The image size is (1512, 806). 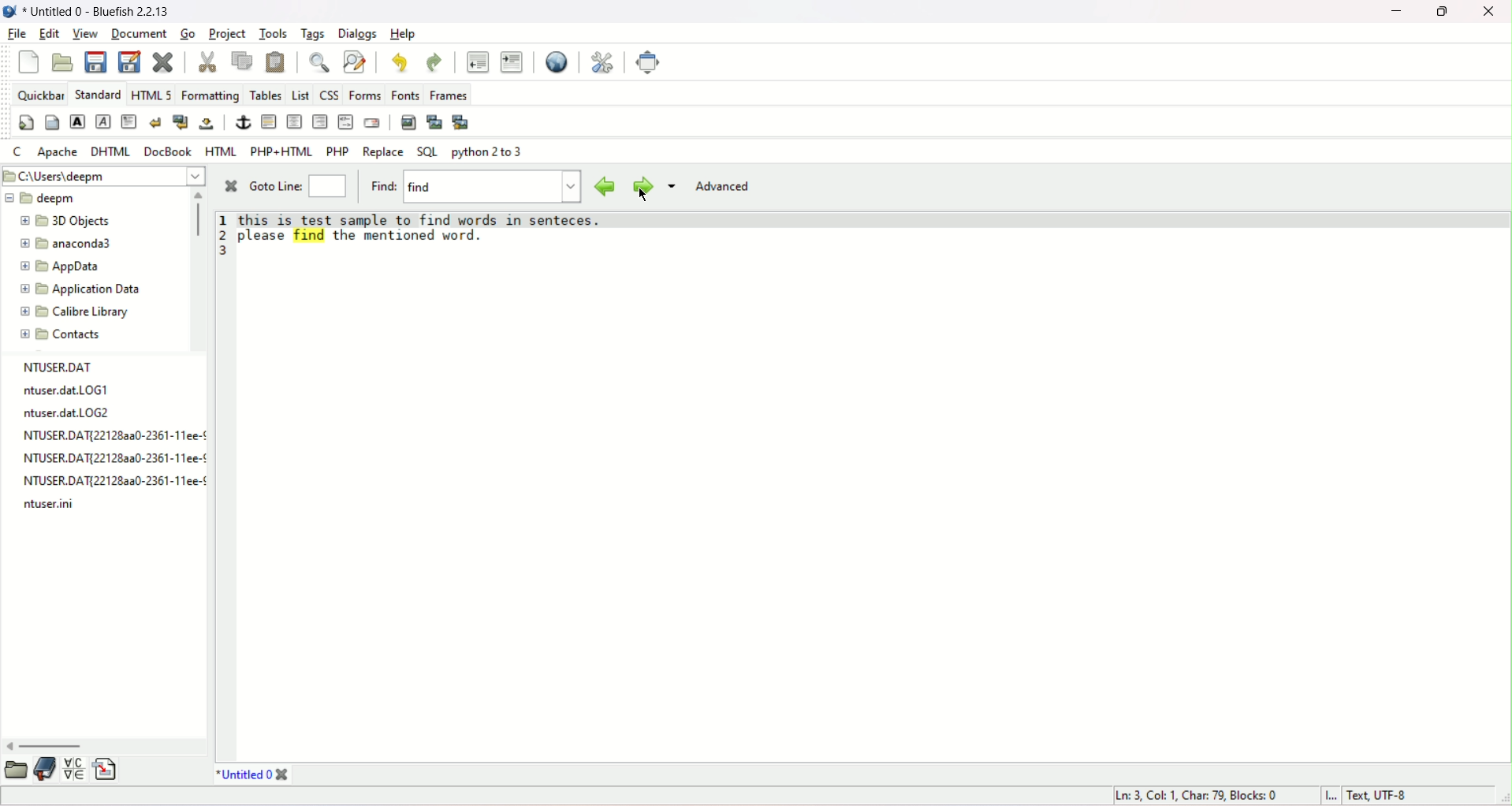 What do you see at coordinates (63, 62) in the screenshot?
I see `open` at bounding box center [63, 62].